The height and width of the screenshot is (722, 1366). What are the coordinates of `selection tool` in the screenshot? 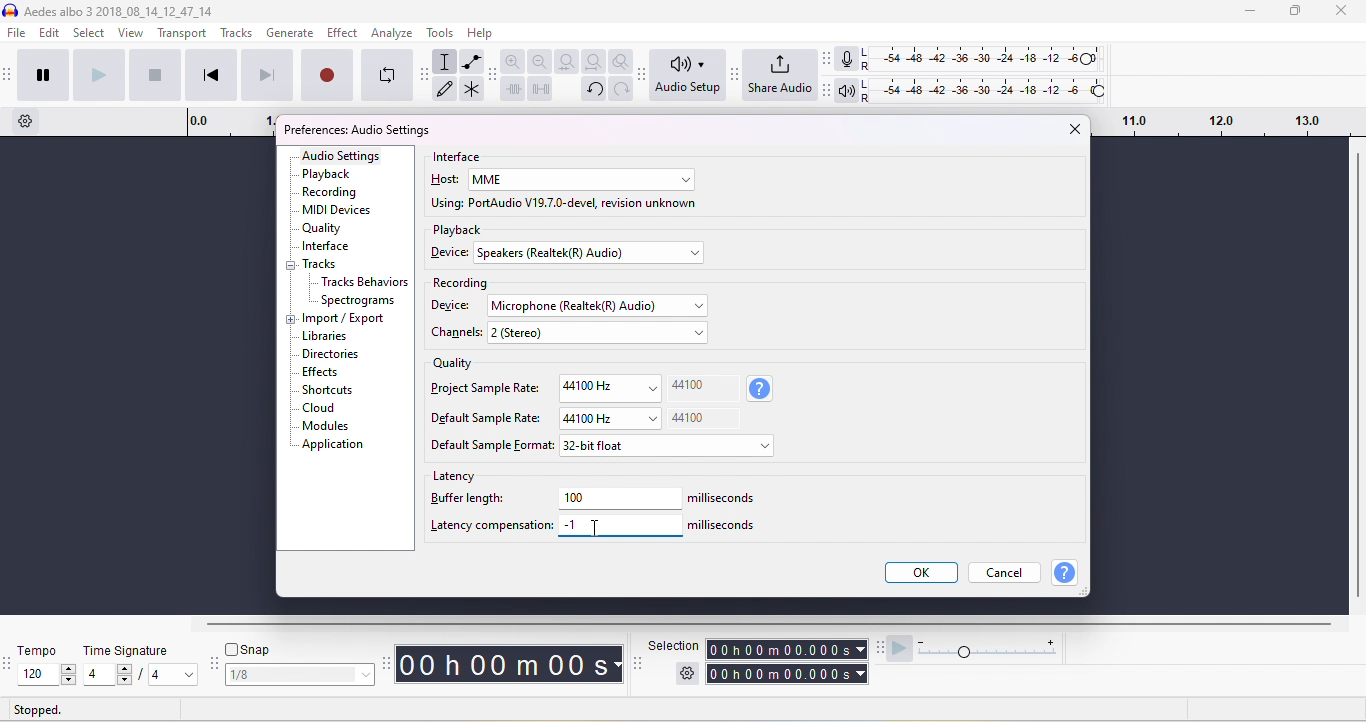 It's located at (446, 61).